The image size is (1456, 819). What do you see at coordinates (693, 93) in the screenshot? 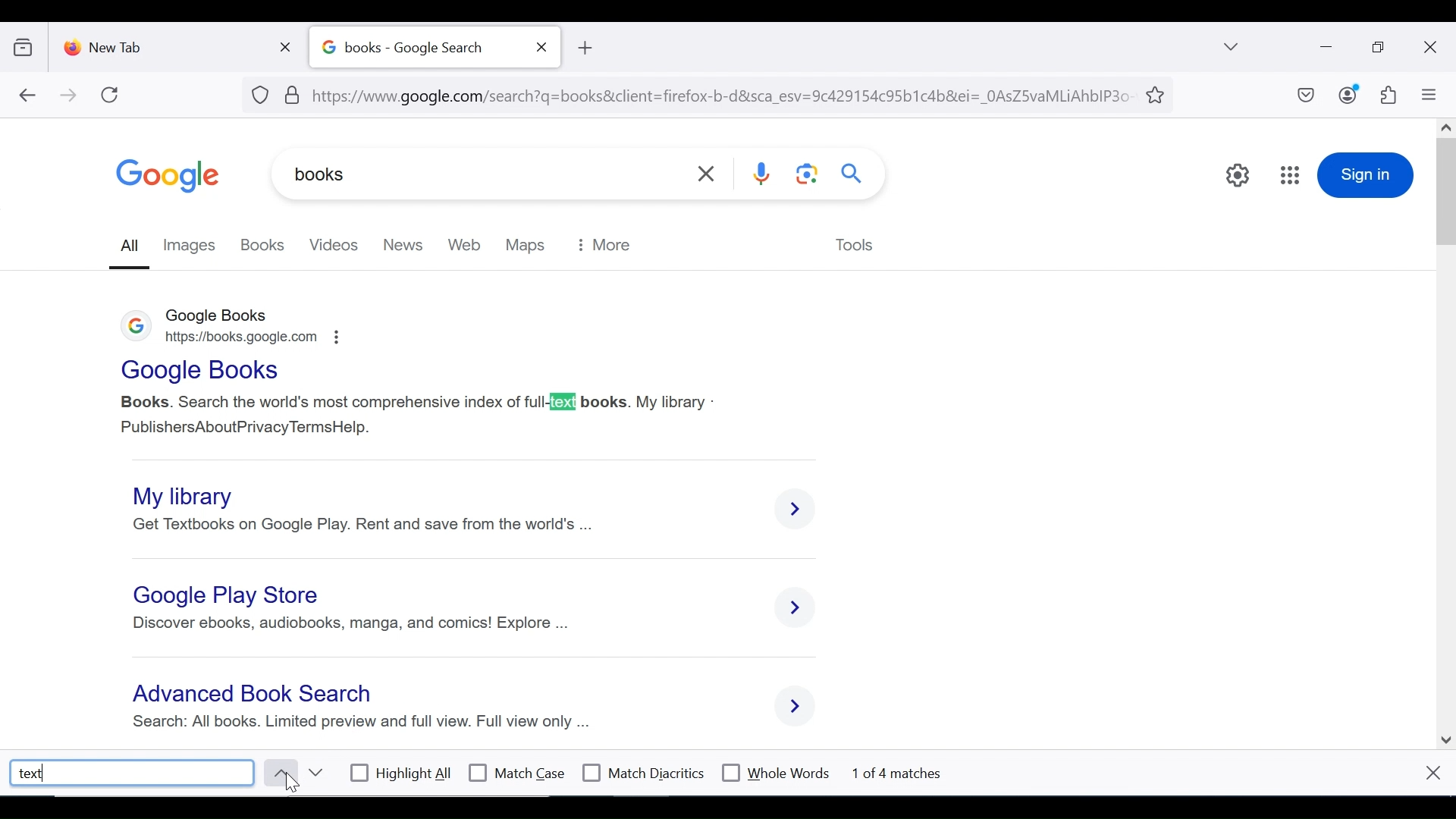
I see `url` at bounding box center [693, 93].